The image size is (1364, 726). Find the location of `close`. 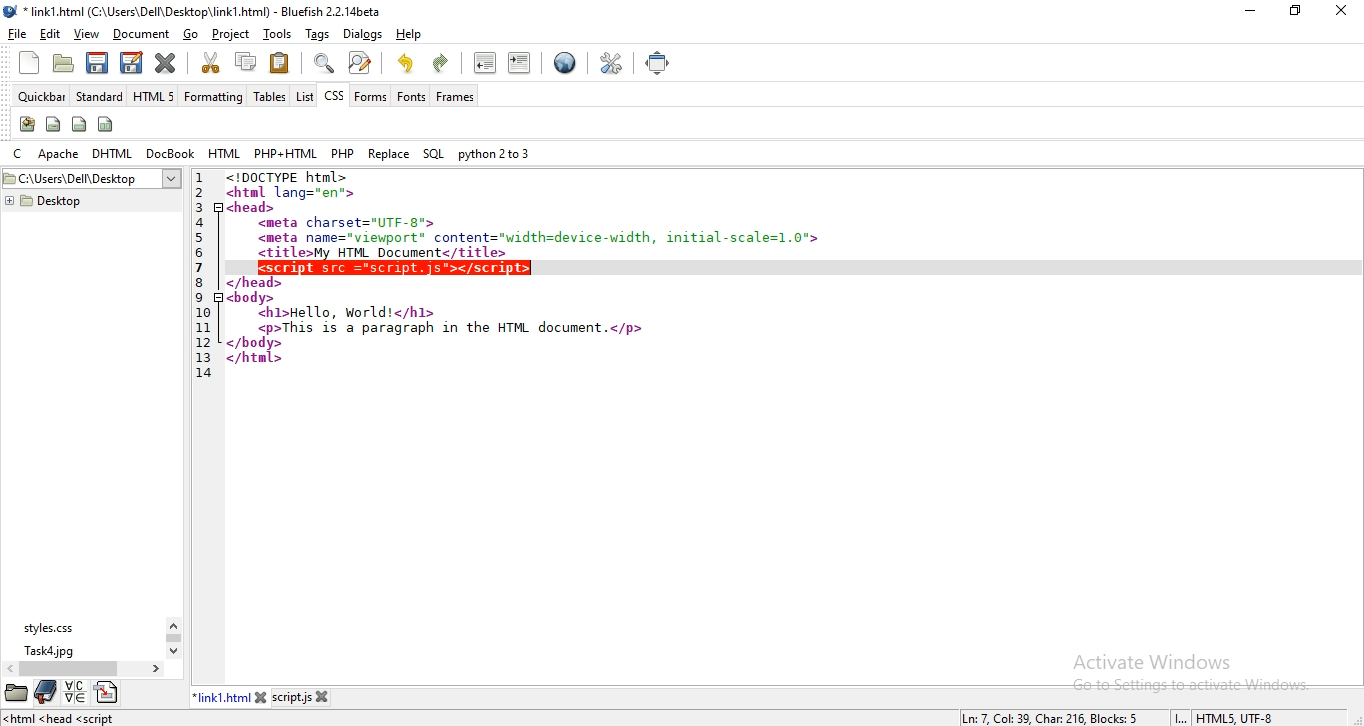

close is located at coordinates (324, 697).